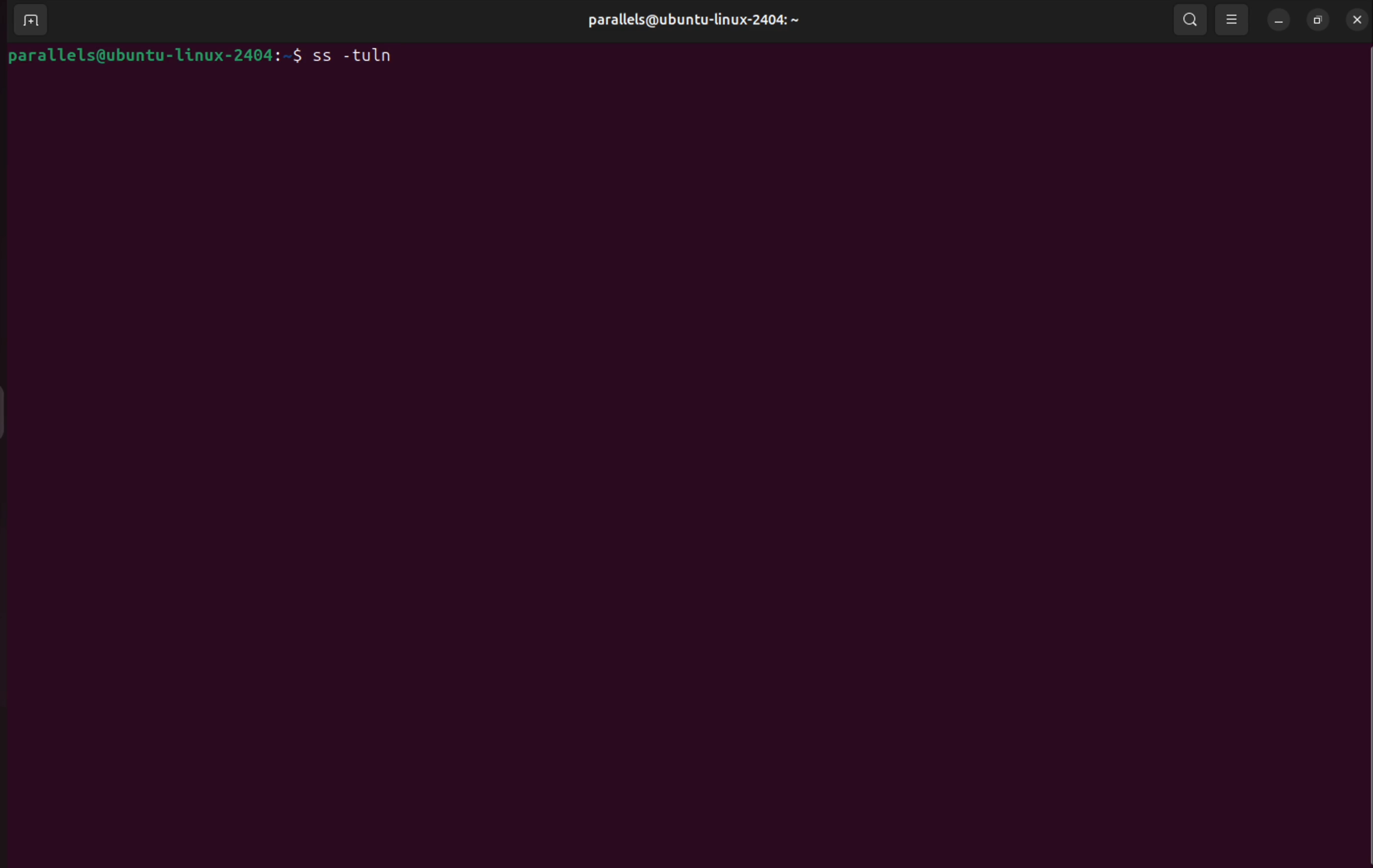  I want to click on view options, so click(1233, 19).